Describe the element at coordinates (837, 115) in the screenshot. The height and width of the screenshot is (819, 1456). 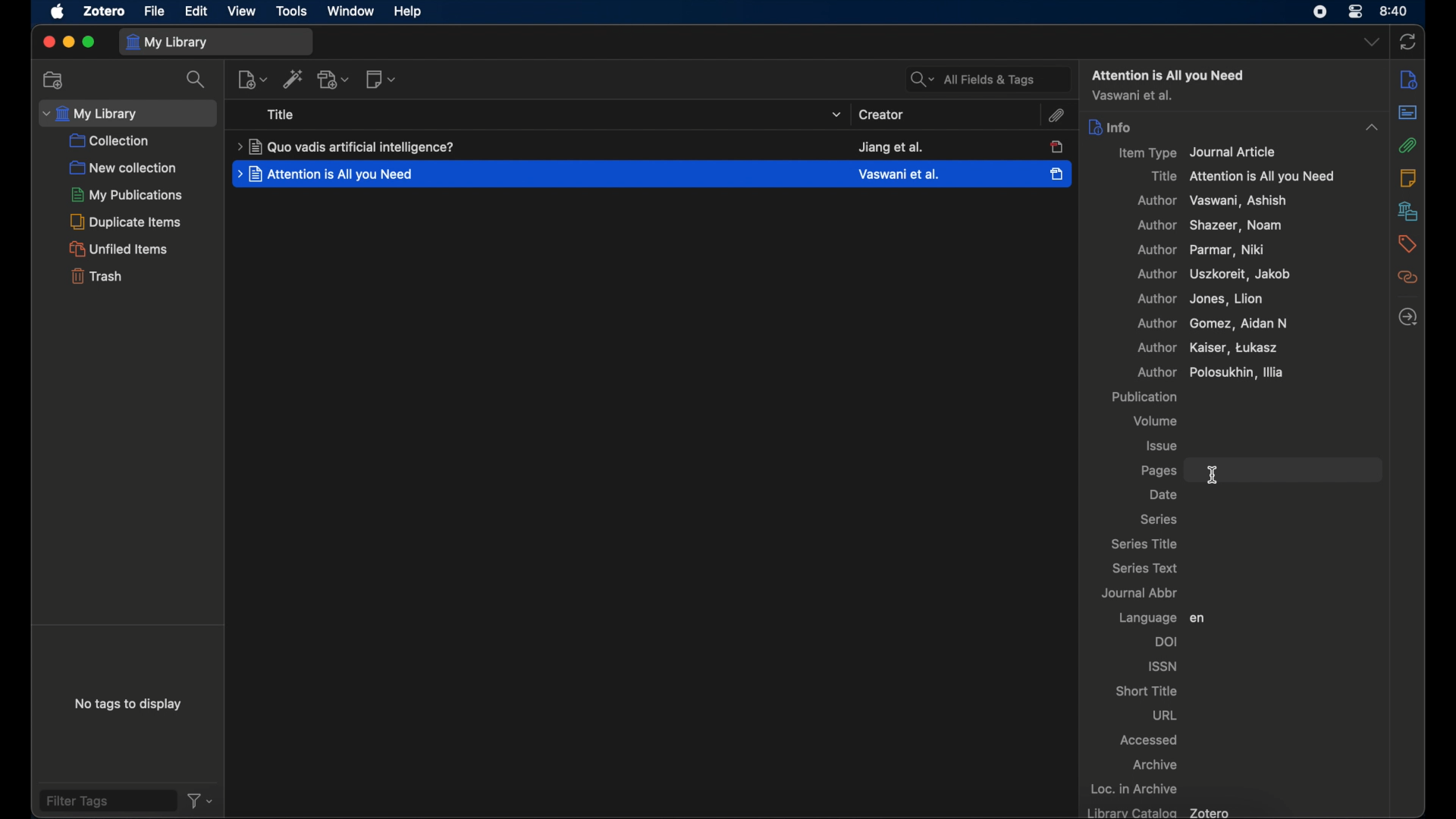
I see `title dropdown` at that location.